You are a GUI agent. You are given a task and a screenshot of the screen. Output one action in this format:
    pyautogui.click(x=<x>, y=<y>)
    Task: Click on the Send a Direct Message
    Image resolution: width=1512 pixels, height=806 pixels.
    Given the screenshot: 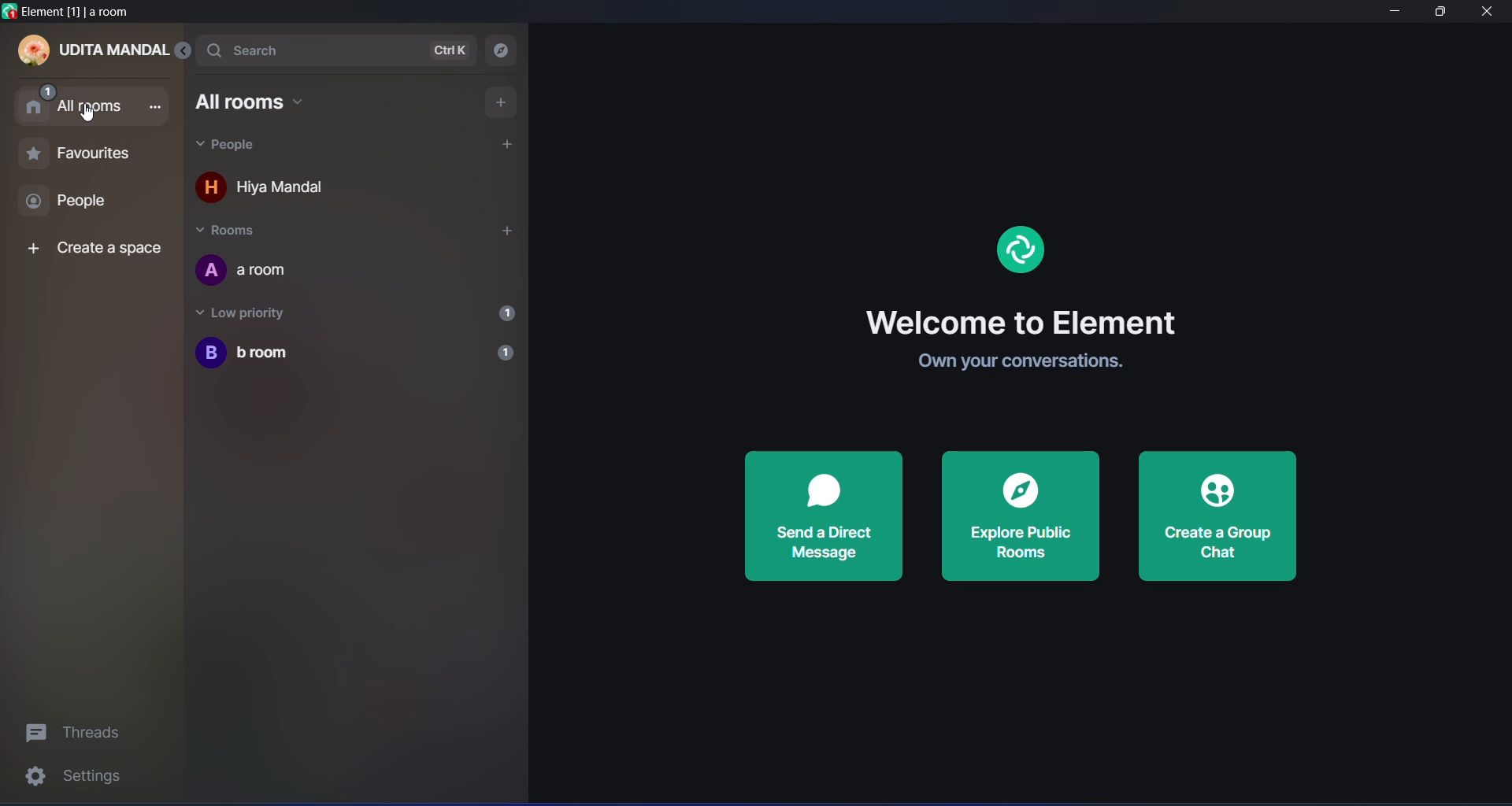 What is the action you would take?
    pyautogui.click(x=826, y=516)
    